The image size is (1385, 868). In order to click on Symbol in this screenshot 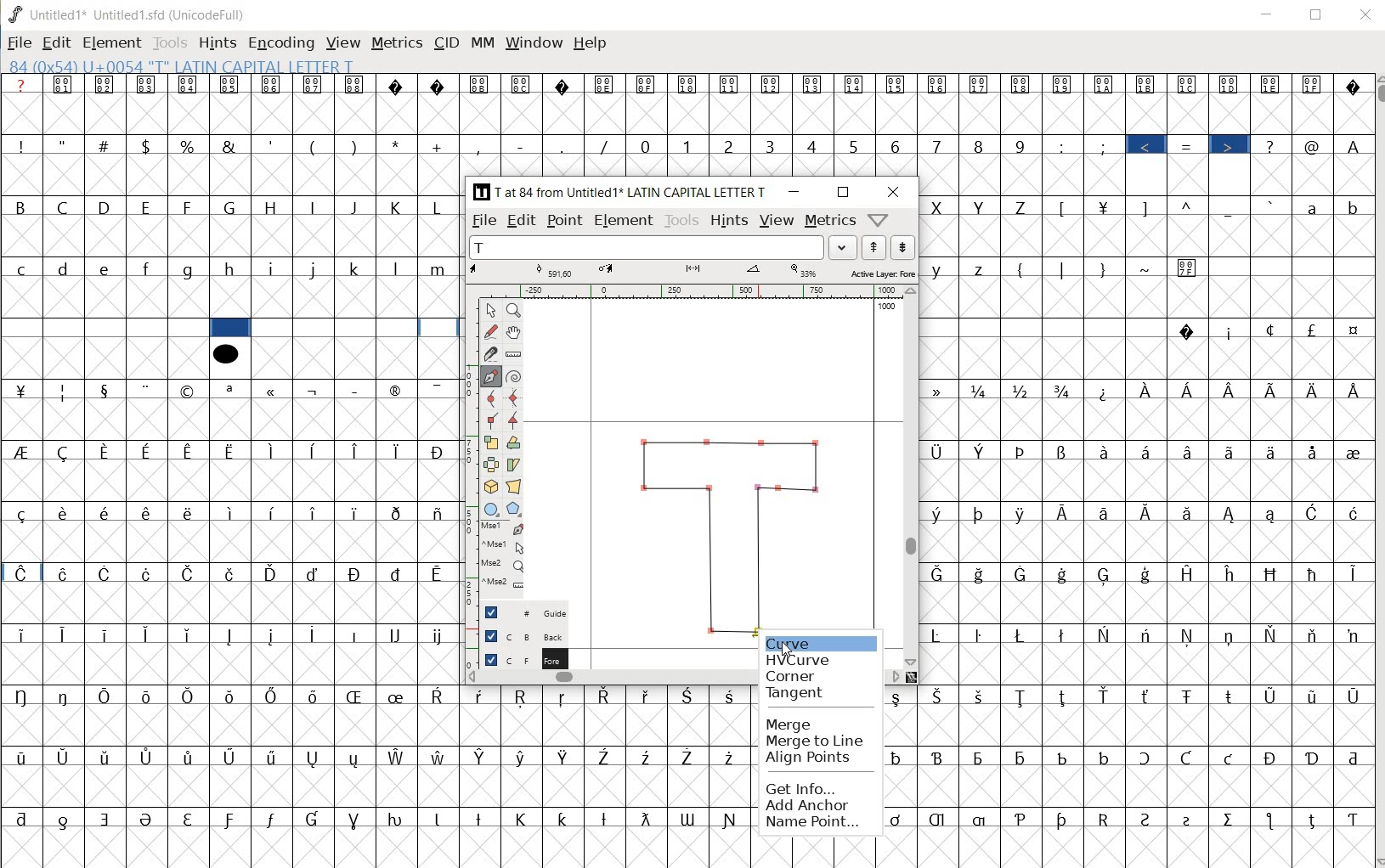, I will do `click(23, 695)`.